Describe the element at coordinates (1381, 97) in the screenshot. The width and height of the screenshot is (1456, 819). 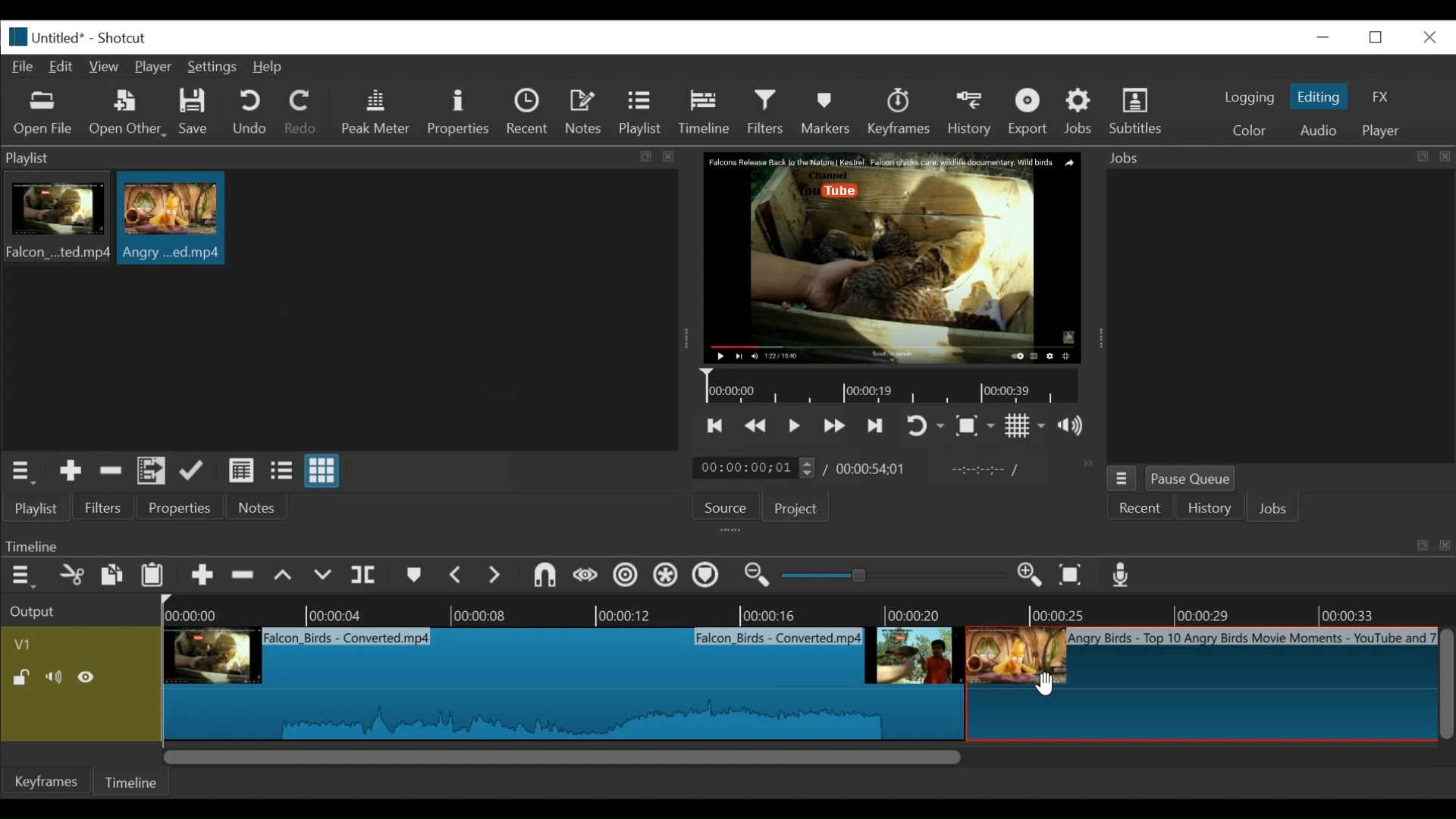
I see `FX` at that location.